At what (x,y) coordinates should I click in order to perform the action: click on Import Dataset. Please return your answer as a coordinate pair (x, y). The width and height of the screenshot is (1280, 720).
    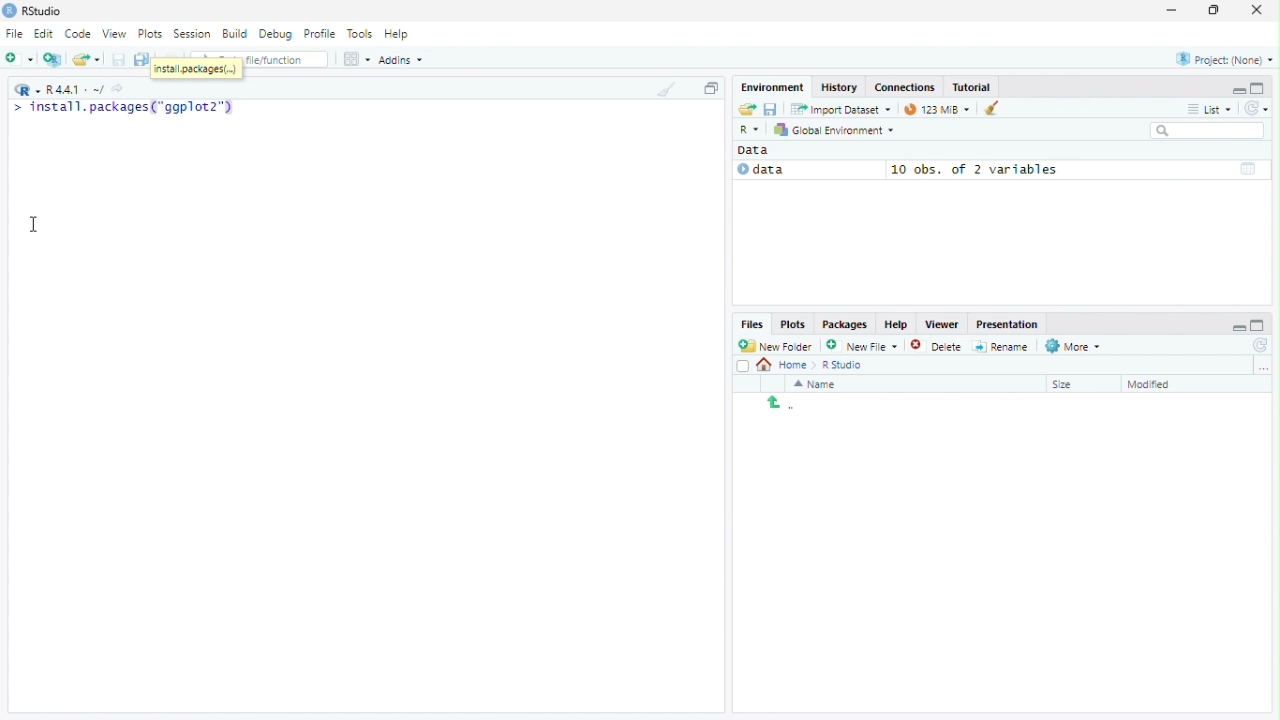
    Looking at the image, I should click on (840, 110).